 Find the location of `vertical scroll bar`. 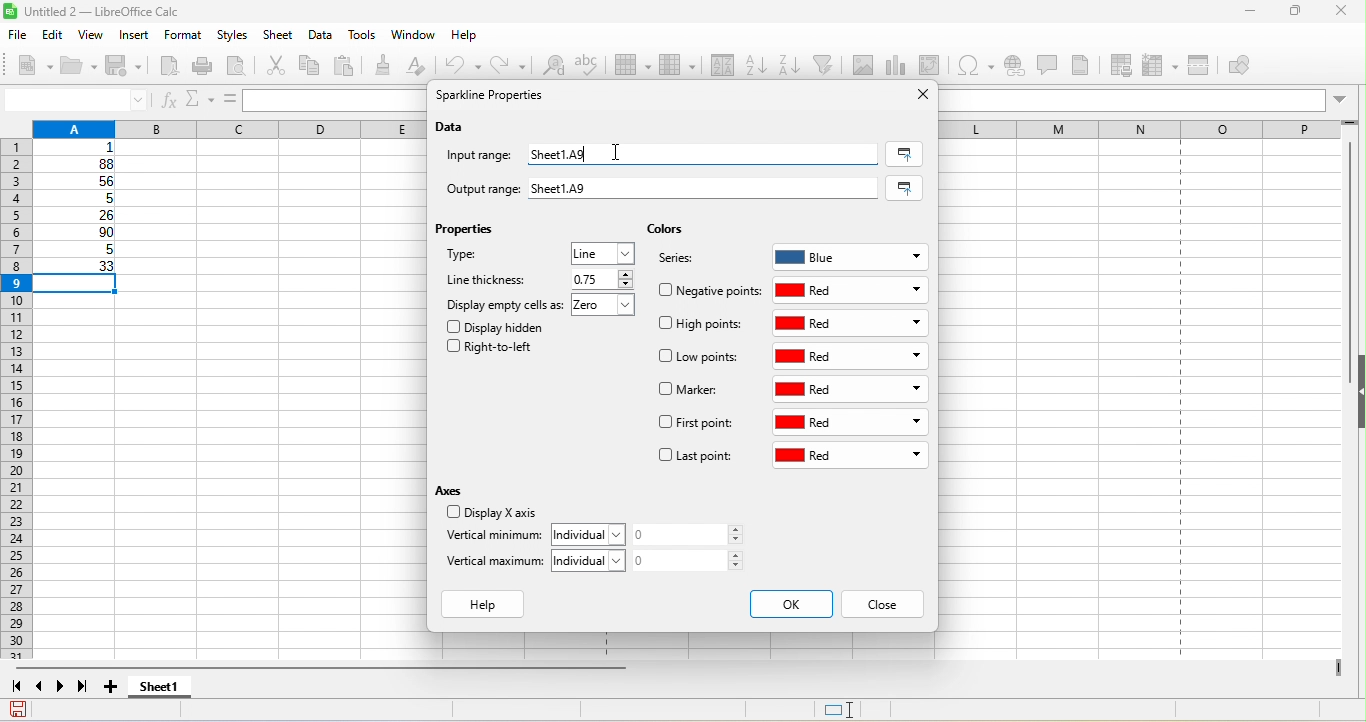

vertical scroll bar is located at coordinates (1346, 262).